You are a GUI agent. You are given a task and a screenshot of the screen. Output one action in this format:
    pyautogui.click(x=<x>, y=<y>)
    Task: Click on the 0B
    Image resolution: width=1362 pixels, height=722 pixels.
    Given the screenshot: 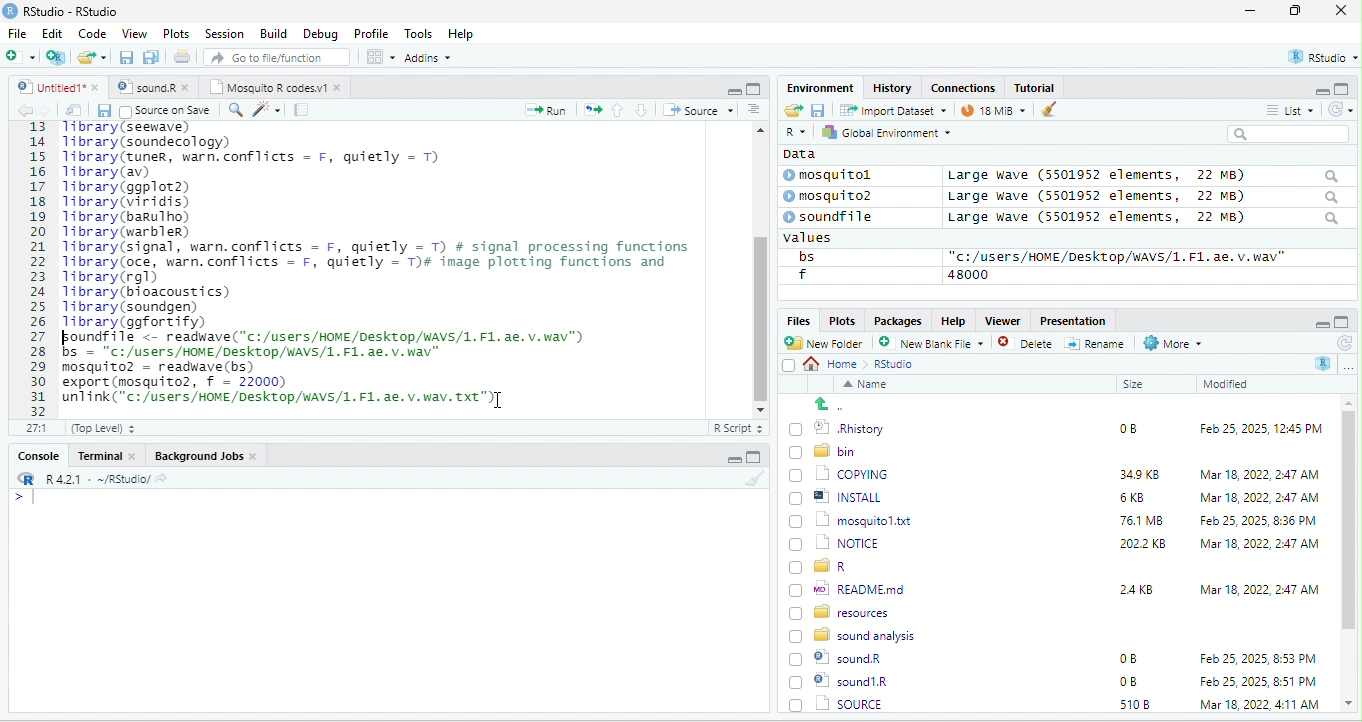 What is the action you would take?
    pyautogui.click(x=1127, y=659)
    